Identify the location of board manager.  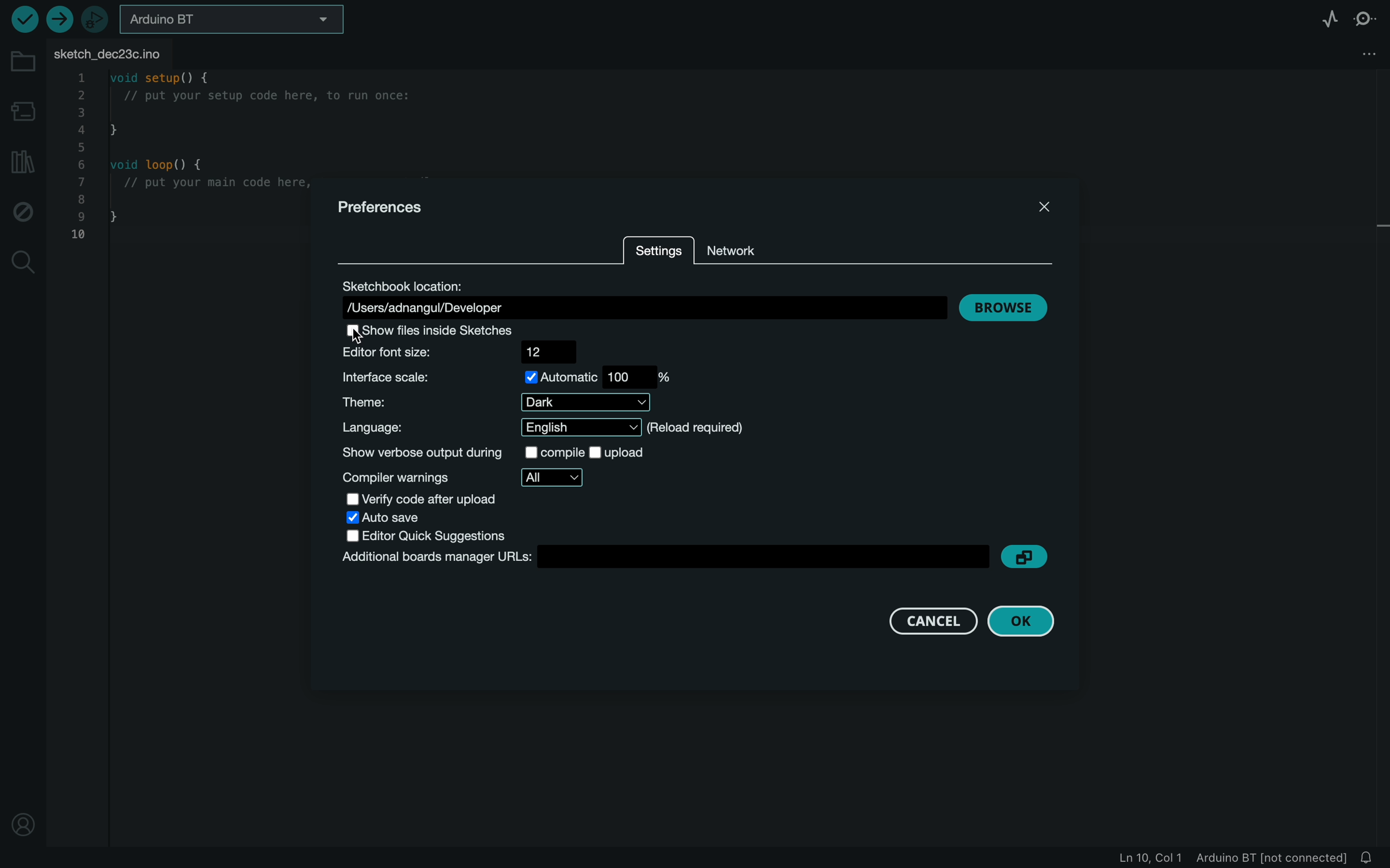
(25, 110).